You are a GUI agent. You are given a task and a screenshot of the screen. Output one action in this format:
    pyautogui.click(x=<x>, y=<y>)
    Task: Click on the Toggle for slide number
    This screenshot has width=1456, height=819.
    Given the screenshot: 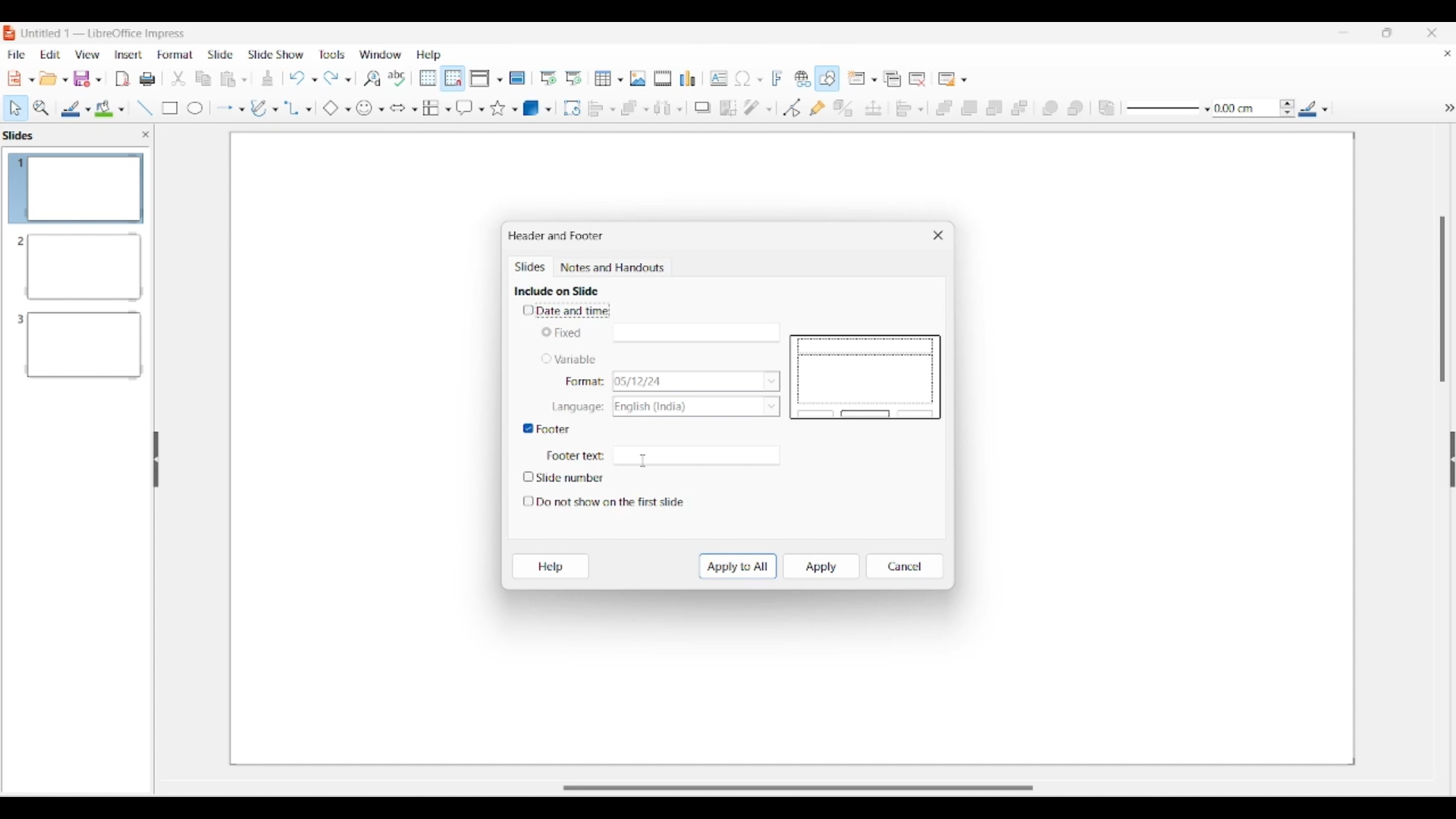 What is the action you would take?
    pyautogui.click(x=569, y=477)
    